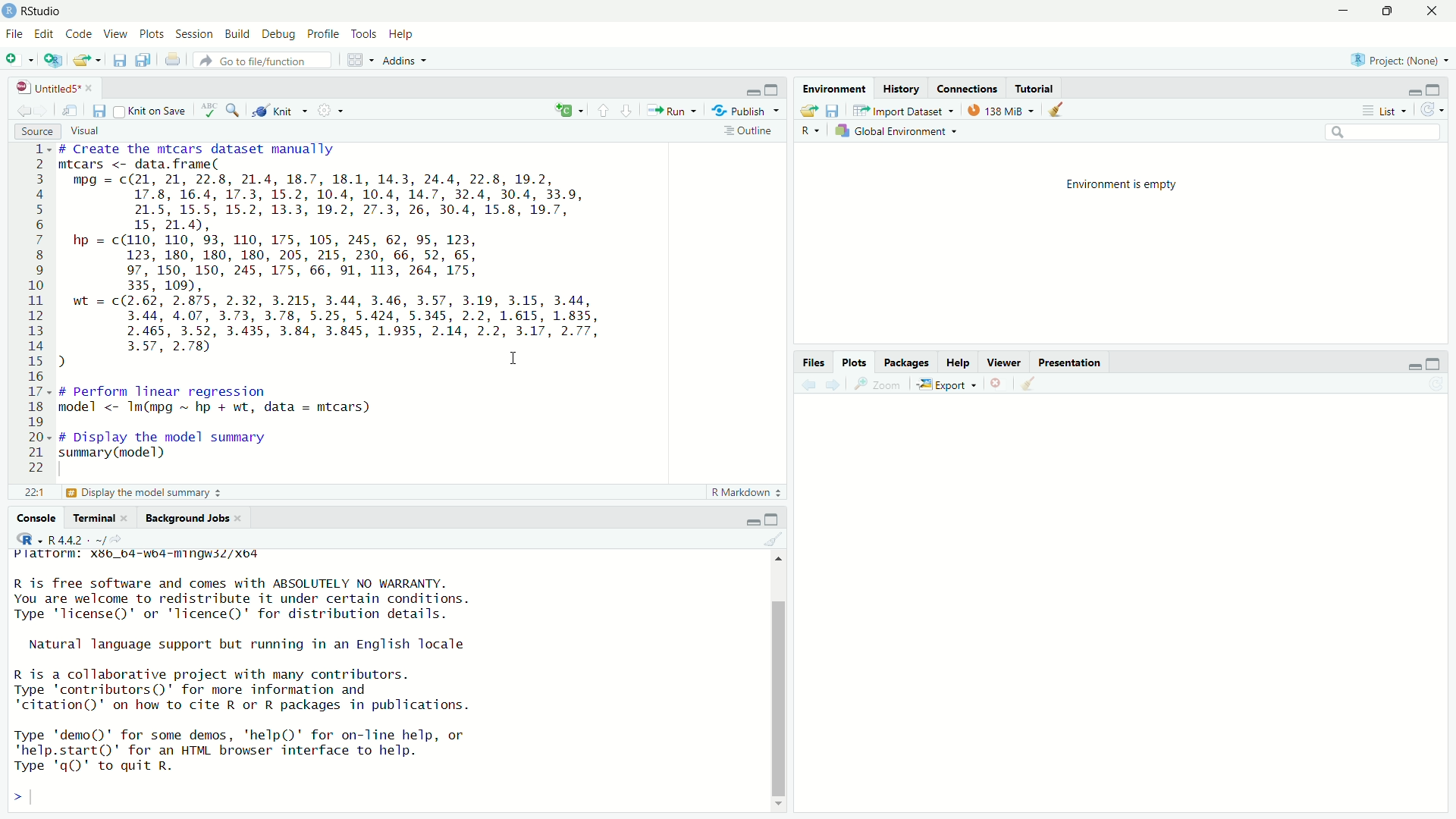  Describe the element at coordinates (882, 384) in the screenshot. I see `Zoom` at that location.